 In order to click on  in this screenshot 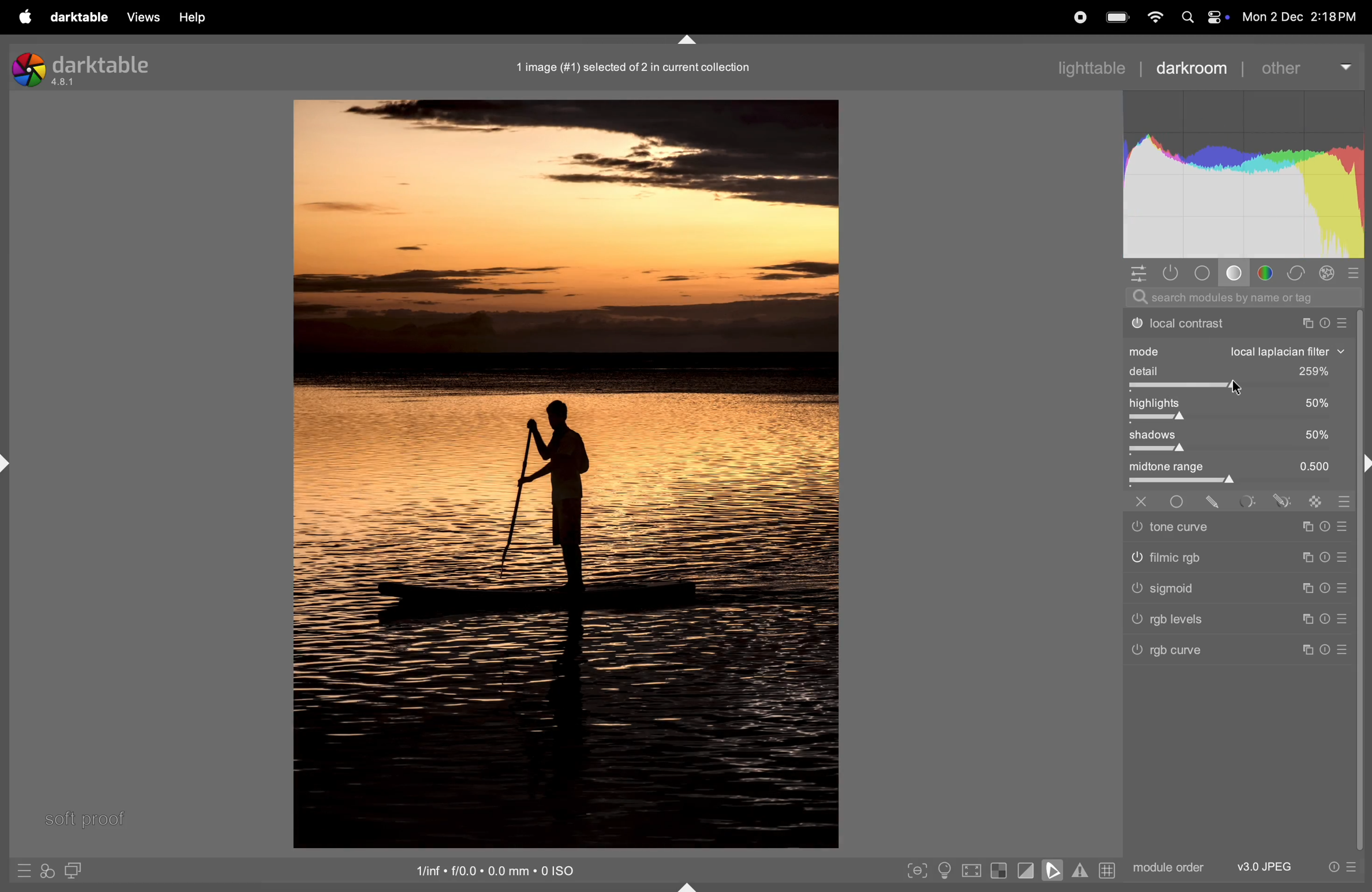, I will do `click(1184, 559)`.